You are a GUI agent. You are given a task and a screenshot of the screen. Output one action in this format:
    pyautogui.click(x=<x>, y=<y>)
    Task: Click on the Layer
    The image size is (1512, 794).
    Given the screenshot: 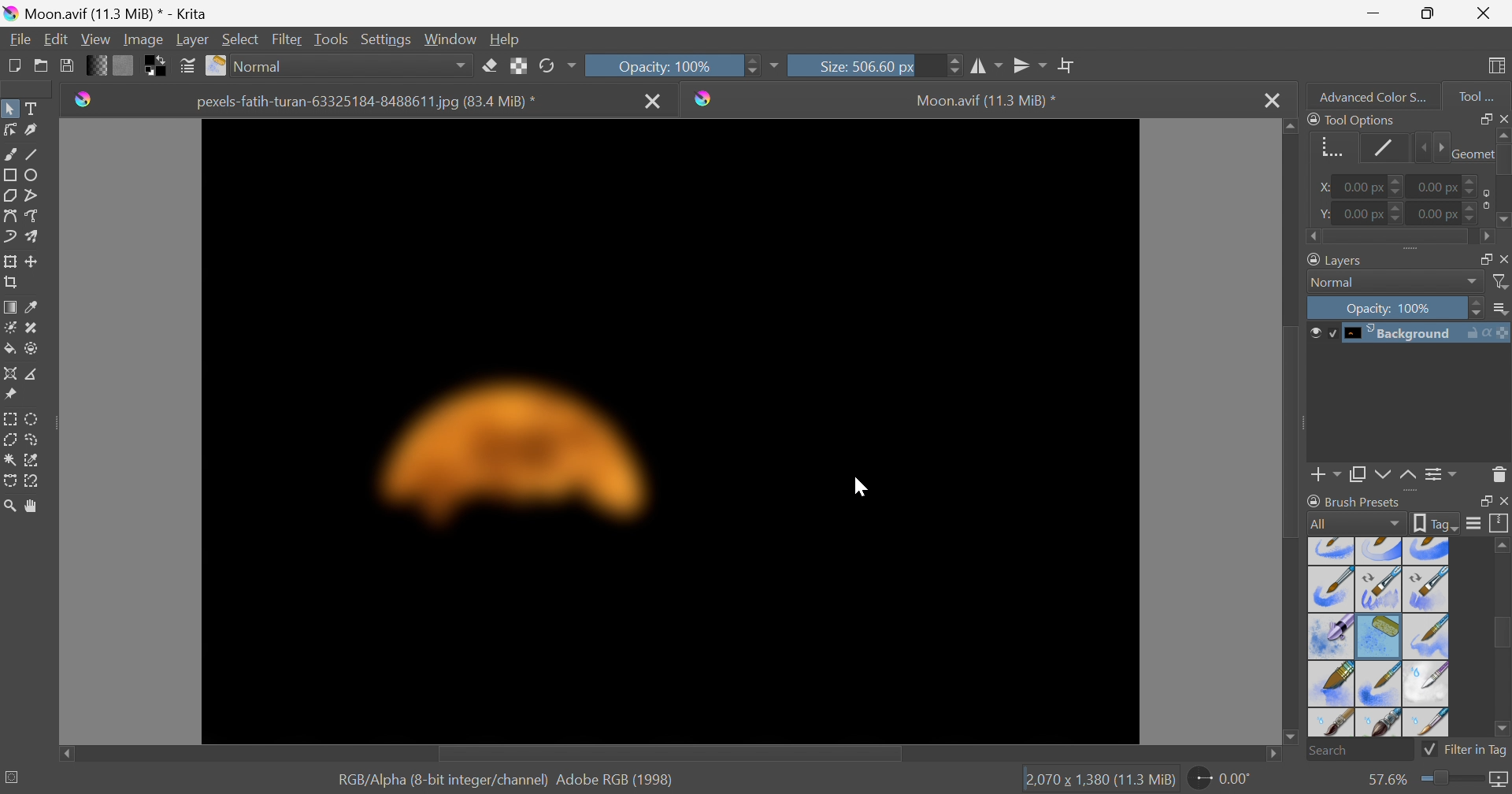 What is the action you would take?
    pyautogui.click(x=192, y=41)
    